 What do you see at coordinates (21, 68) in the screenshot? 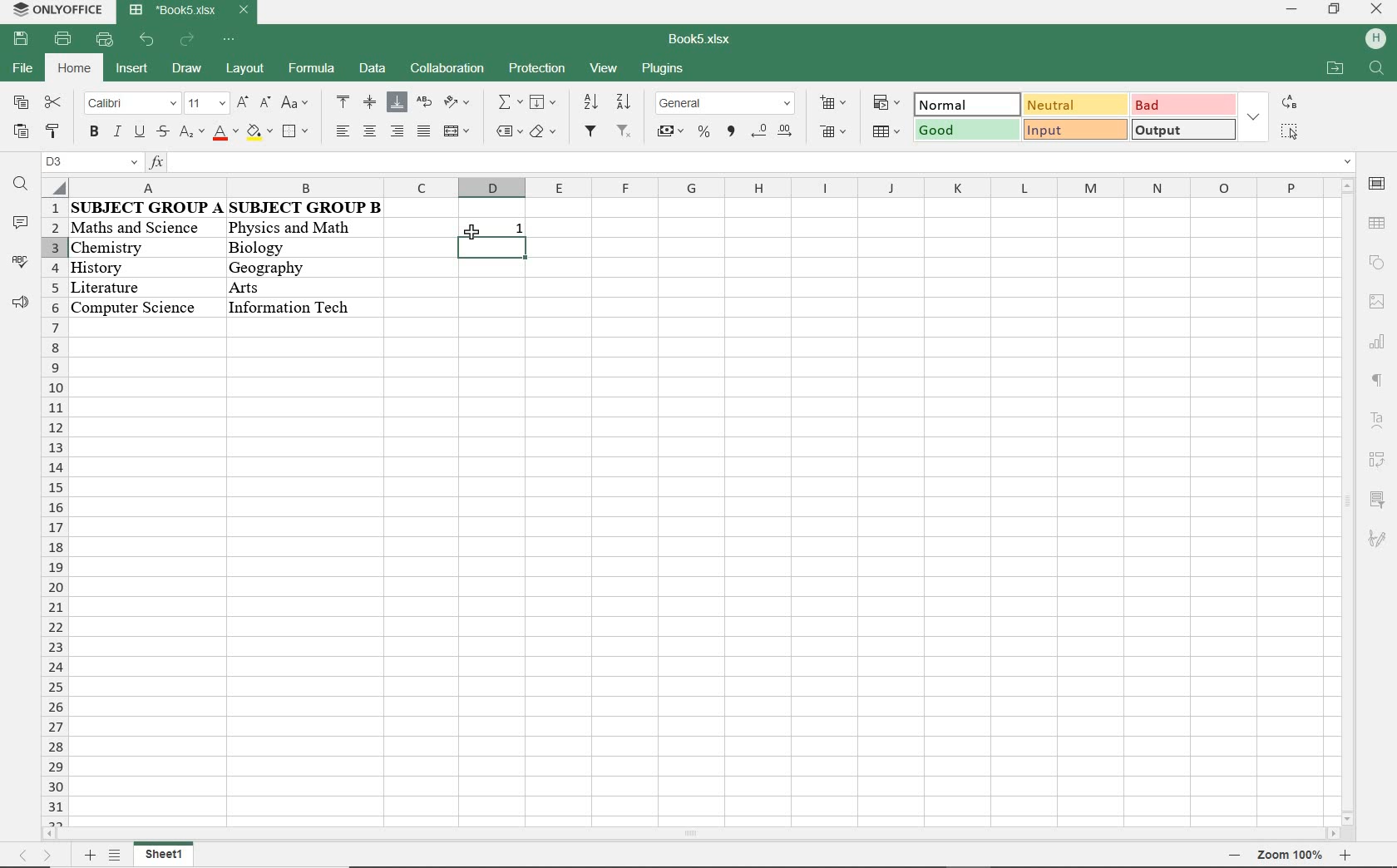
I see `file` at bounding box center [21, 68].